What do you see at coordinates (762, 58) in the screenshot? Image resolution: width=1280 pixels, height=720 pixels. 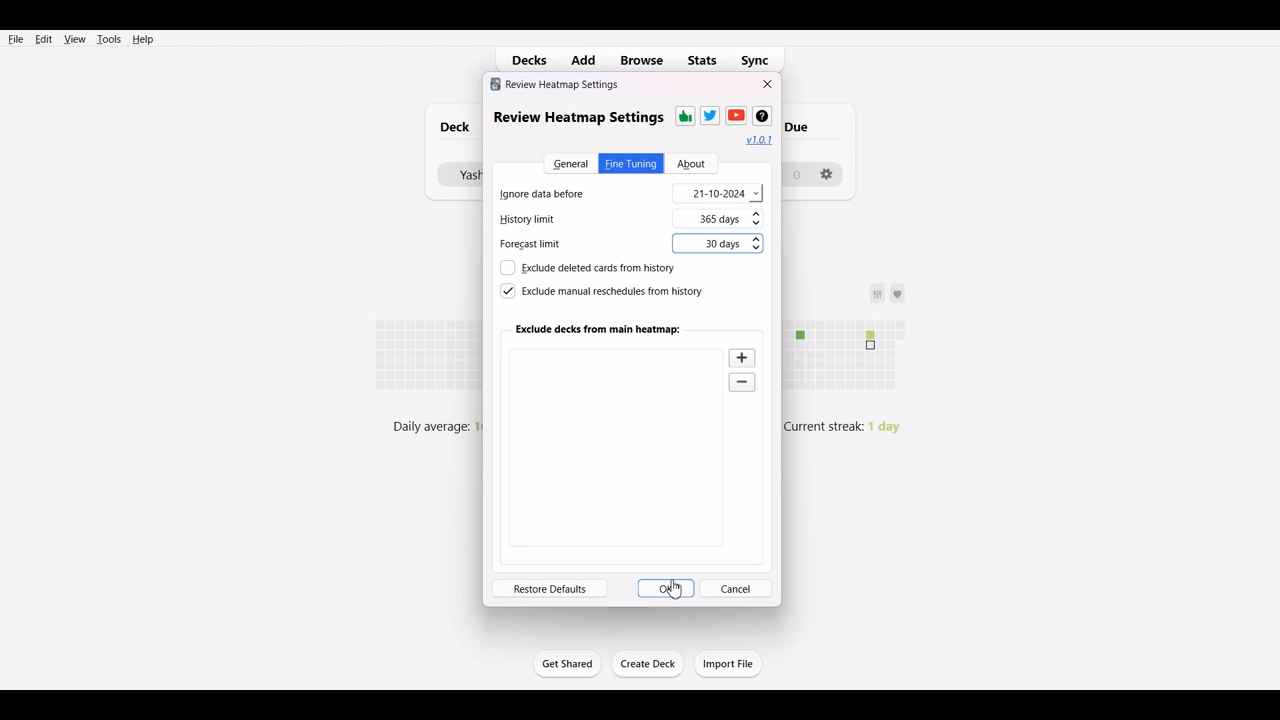 I see `Sync` at bounding box center [762, 58].